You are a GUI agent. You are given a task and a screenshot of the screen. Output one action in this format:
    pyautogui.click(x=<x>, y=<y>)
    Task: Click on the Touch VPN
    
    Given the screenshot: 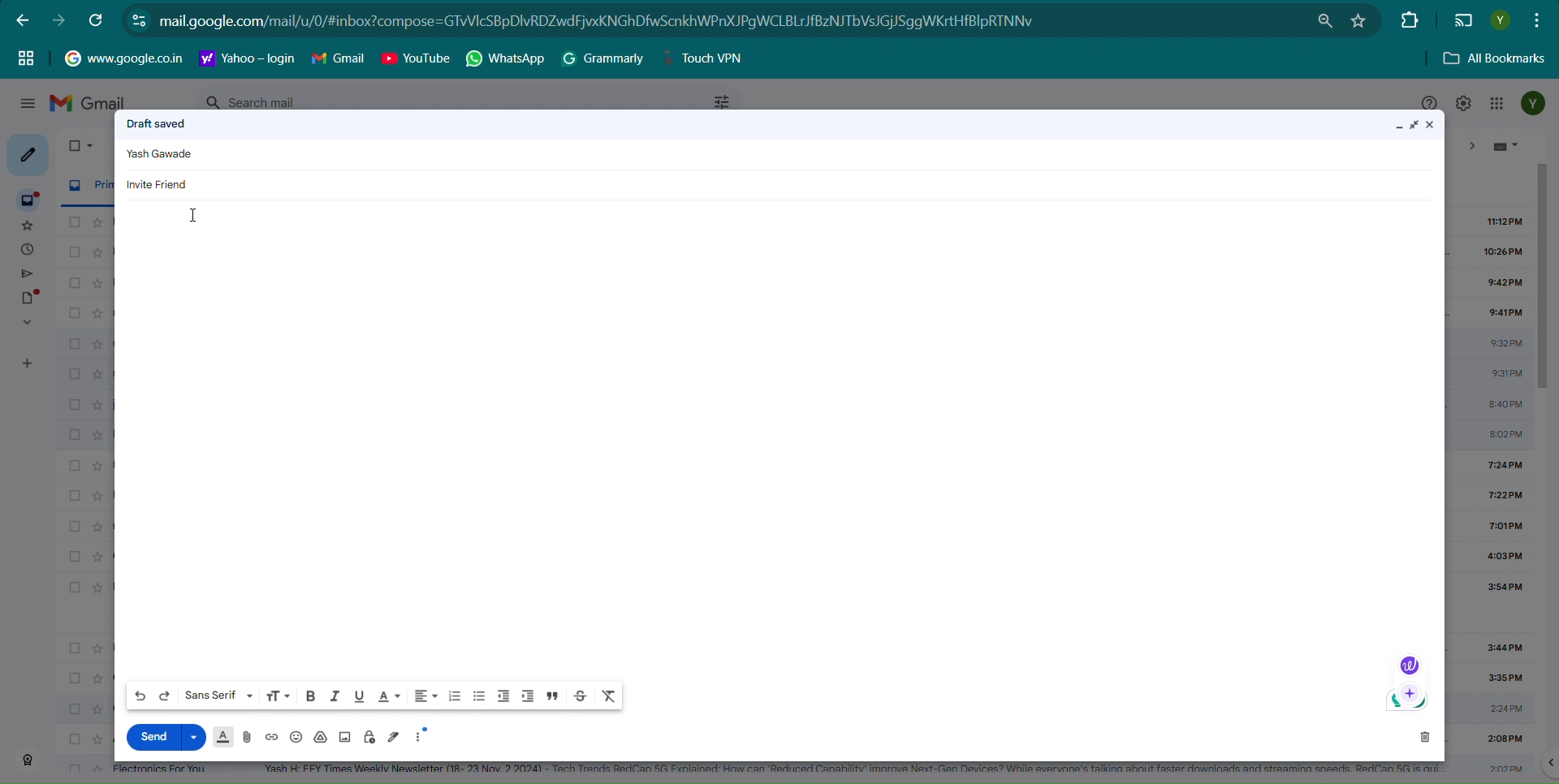 What is the action you would take?
    pyautogui.click(x=709, y=58)
    